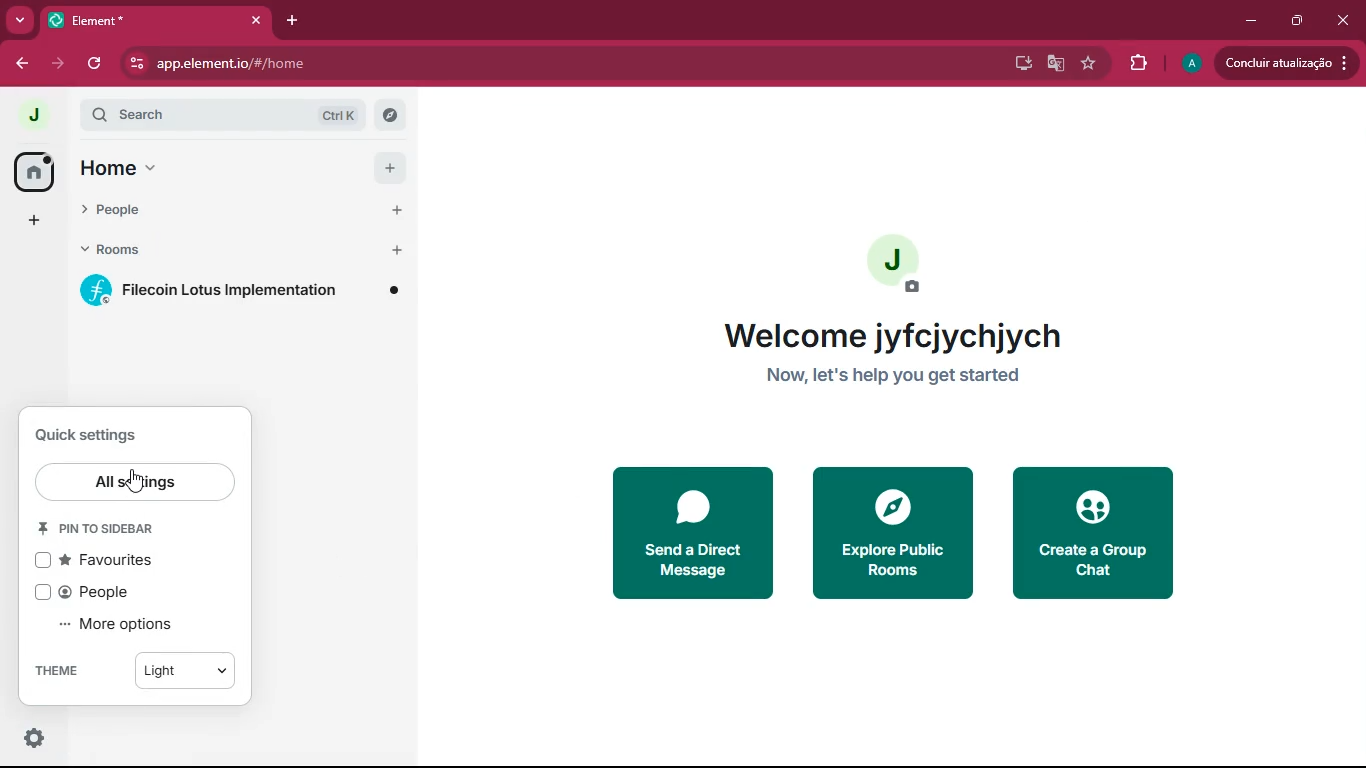 The width and height of the screenshot is (1366, 768). What do you see at coordinates (59, 667) in the screenshot?
I see `theme` at bounding box center [59, 667].